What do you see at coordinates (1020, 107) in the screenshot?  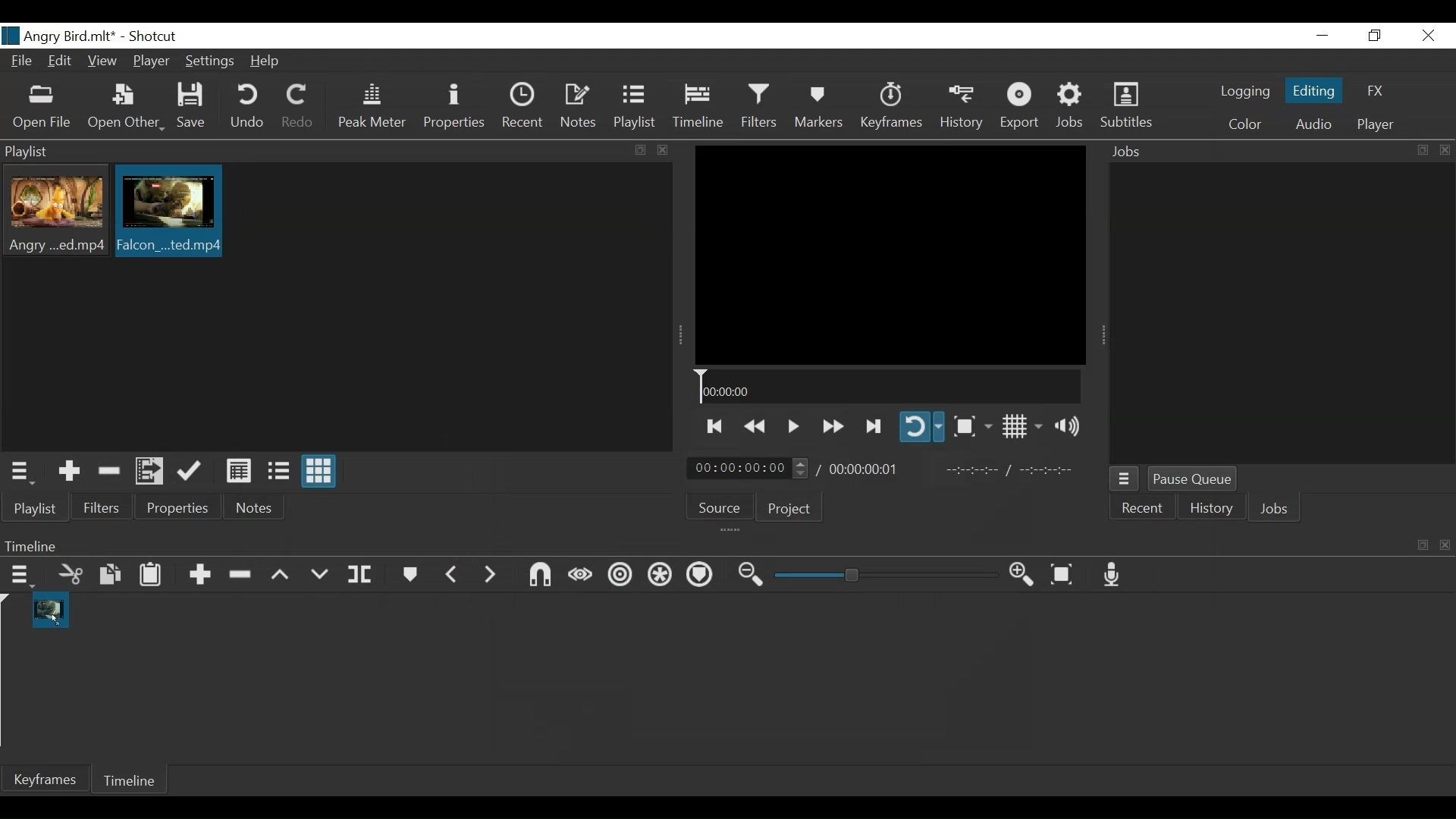 I see `Export` at bounding box center [1020, 107].